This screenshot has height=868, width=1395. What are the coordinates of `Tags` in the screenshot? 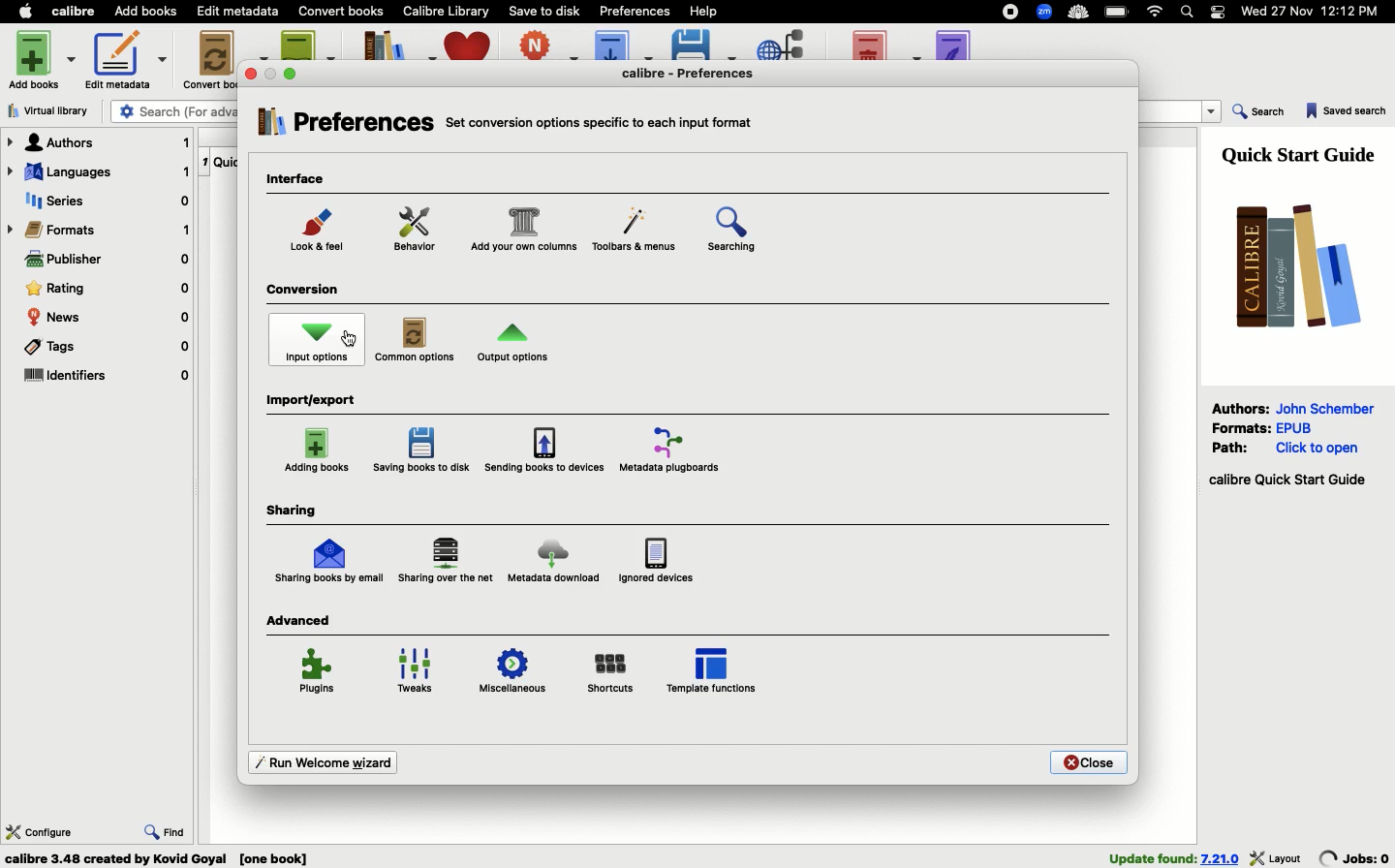 It's located at (105, 350).